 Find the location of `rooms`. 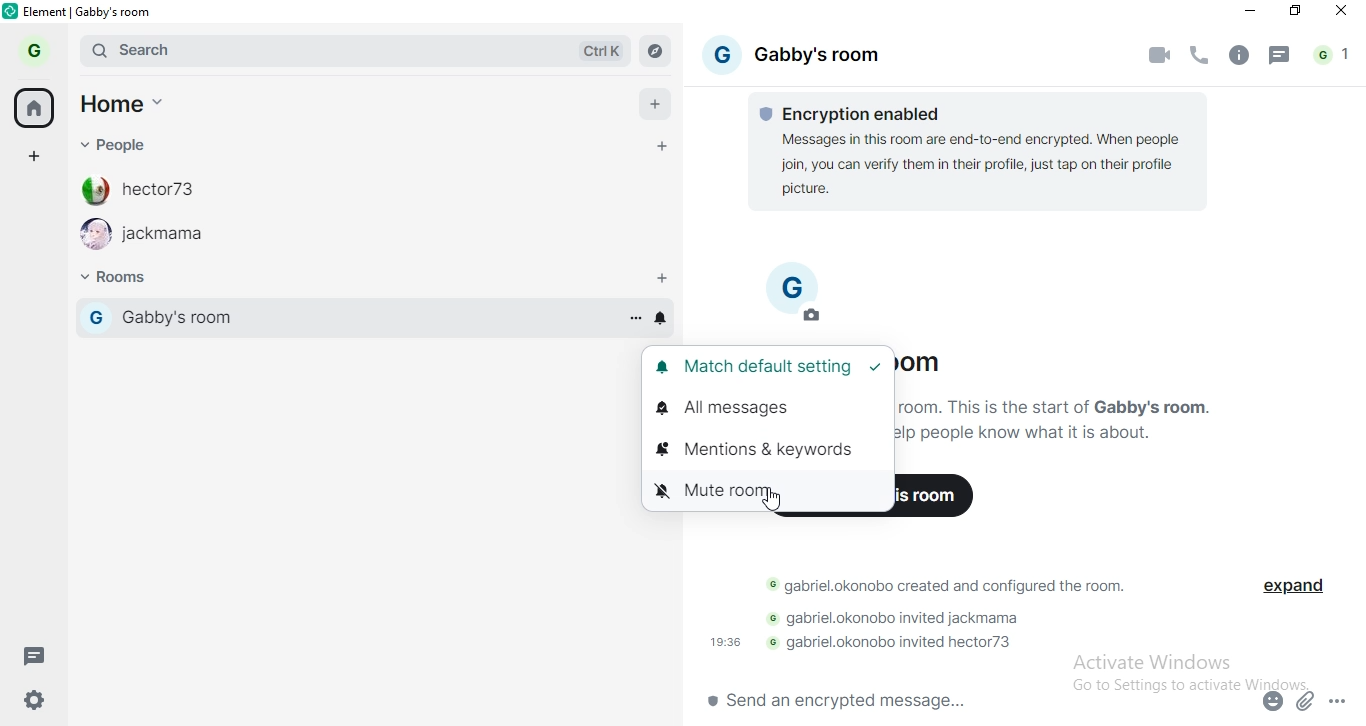

rooms is located at coordinates (124, 277).